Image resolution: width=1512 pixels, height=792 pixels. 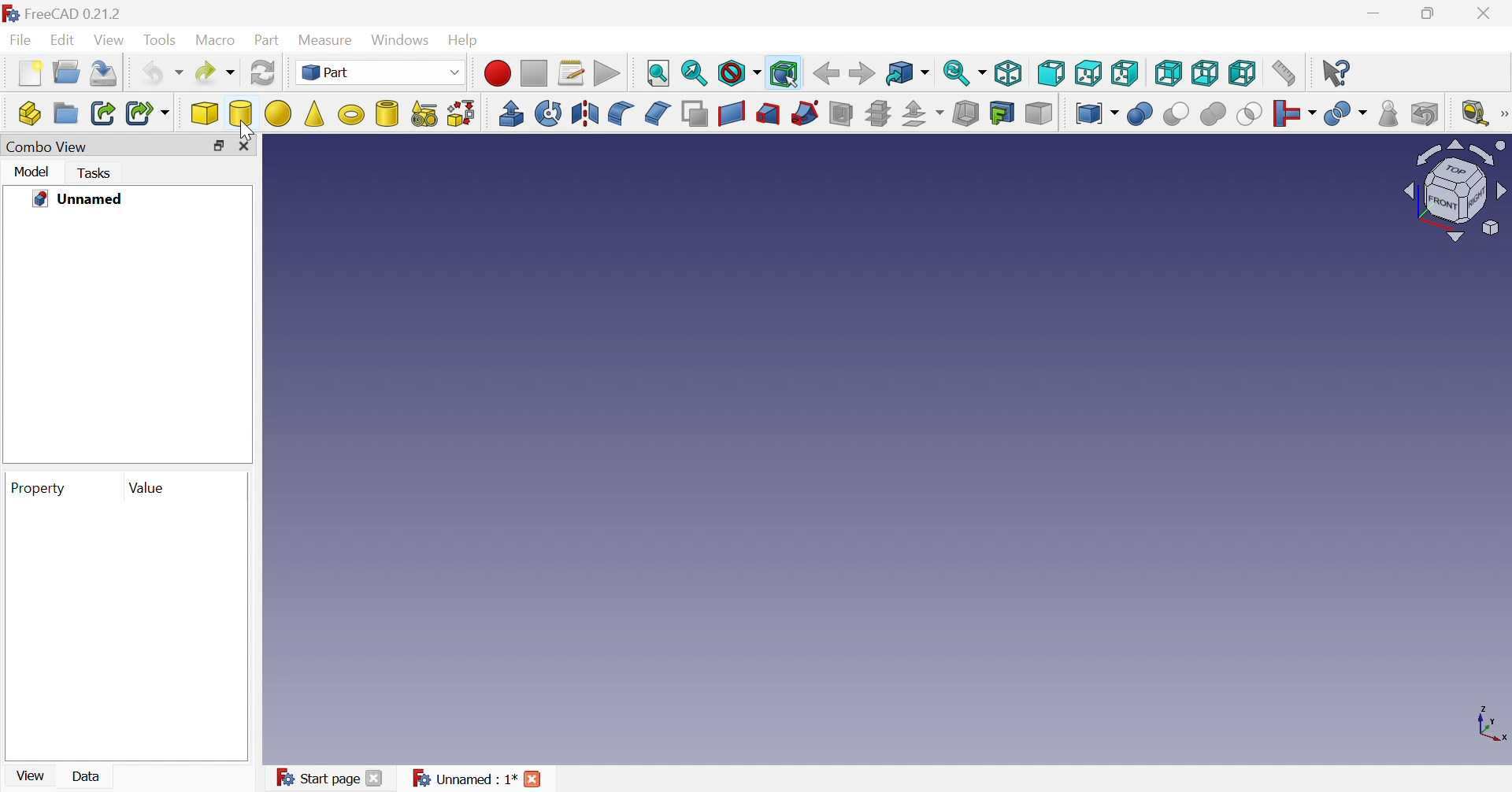 What do you see at coordinates (732, 115) in the screenshot?
I see `Create ruled surface` at bounding box center [732, 115].